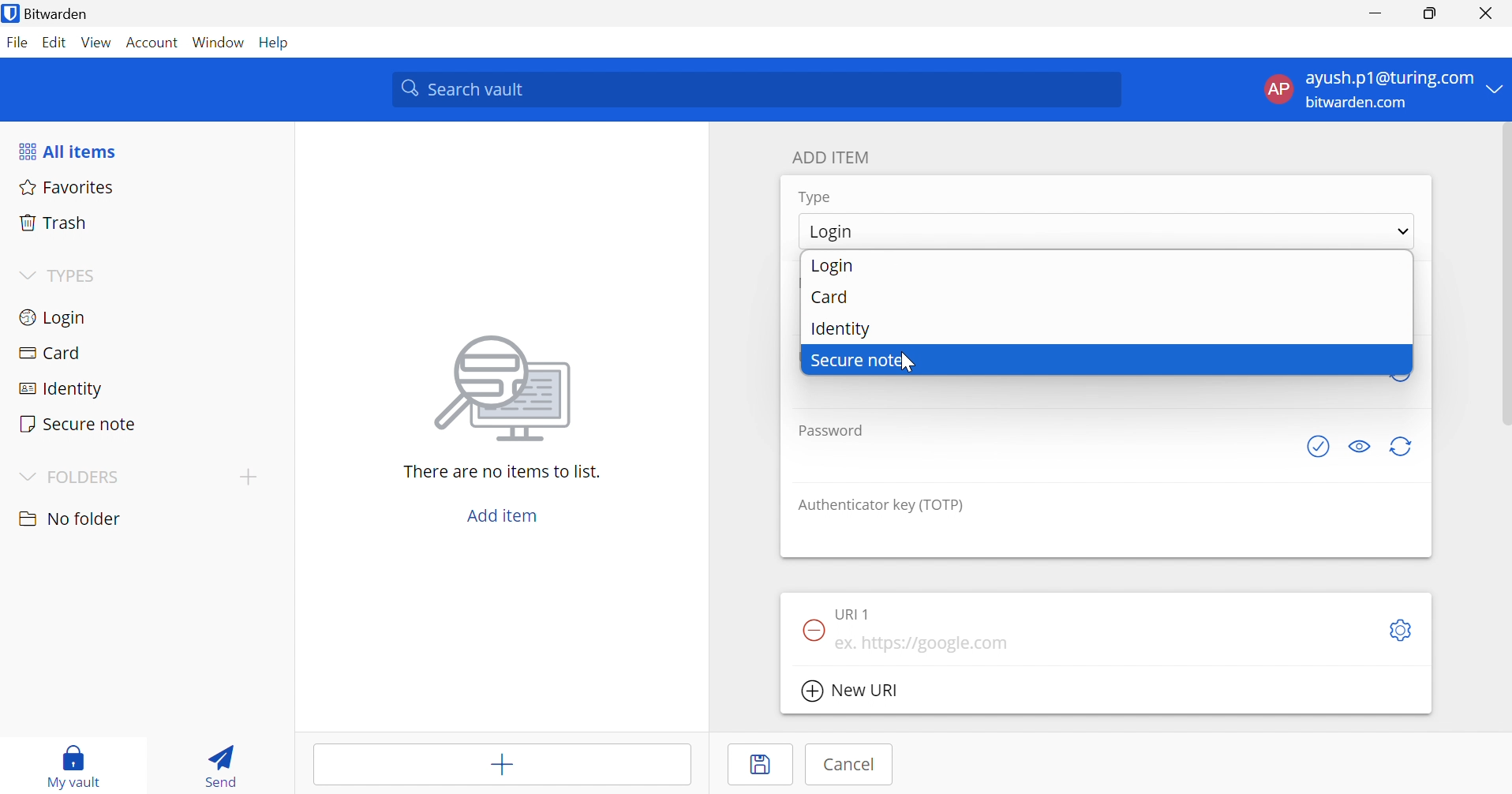  What do you see at coordinates (765, 766) in the screenshot?
I see `Save` at bounding box center [765, 766].